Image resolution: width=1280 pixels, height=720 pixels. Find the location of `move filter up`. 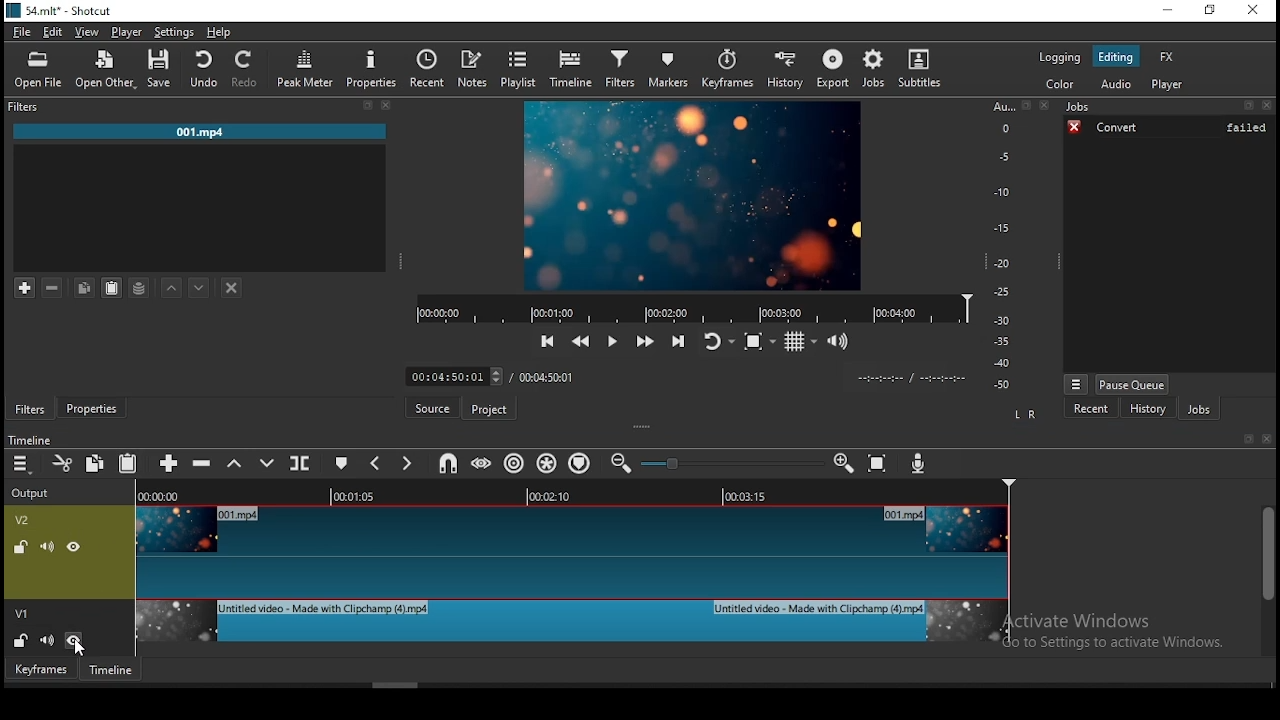

move filter up is located at coordinates (170, 286).